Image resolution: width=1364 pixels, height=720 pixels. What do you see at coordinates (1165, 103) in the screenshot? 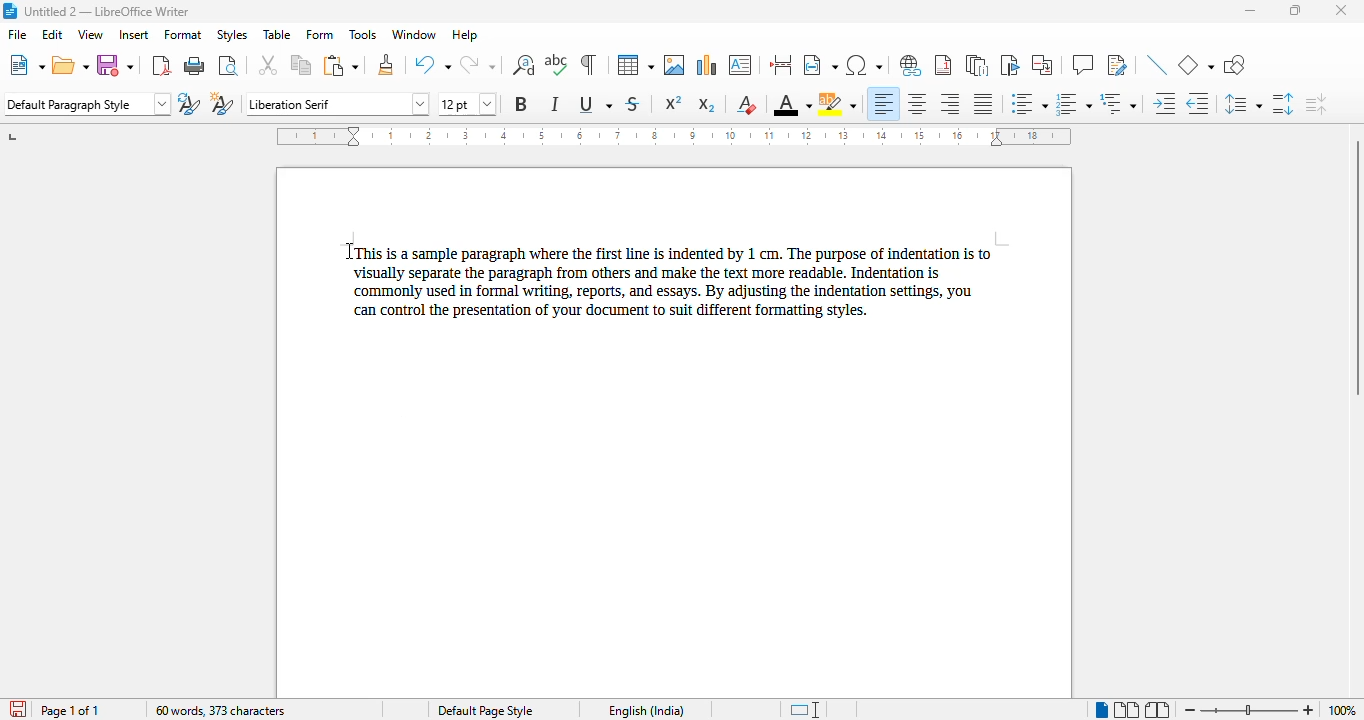
I see `increase indent` at bounding box center [1165, 103].